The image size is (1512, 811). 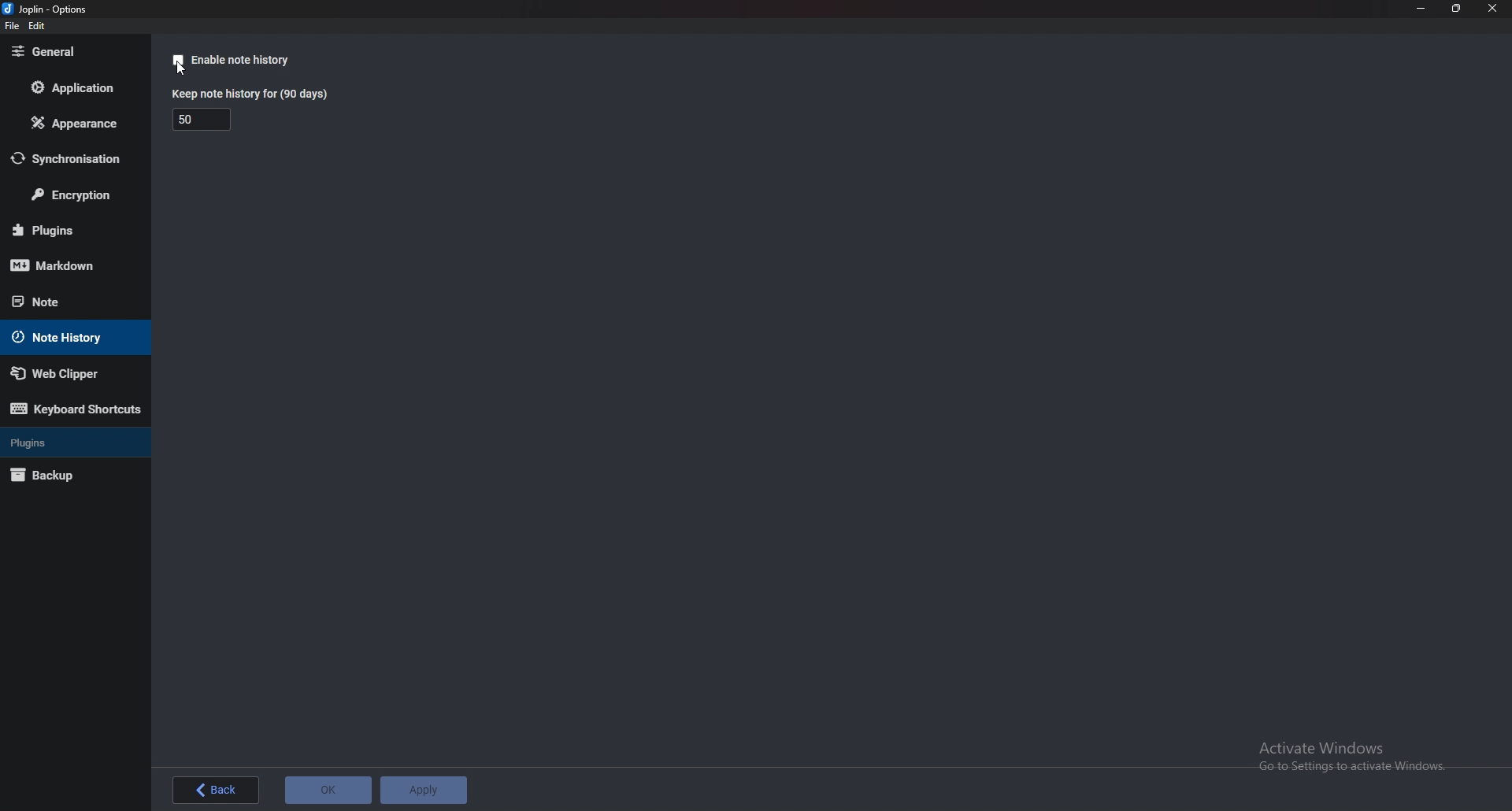 I want to click on Application, so click(x=76, y=86).